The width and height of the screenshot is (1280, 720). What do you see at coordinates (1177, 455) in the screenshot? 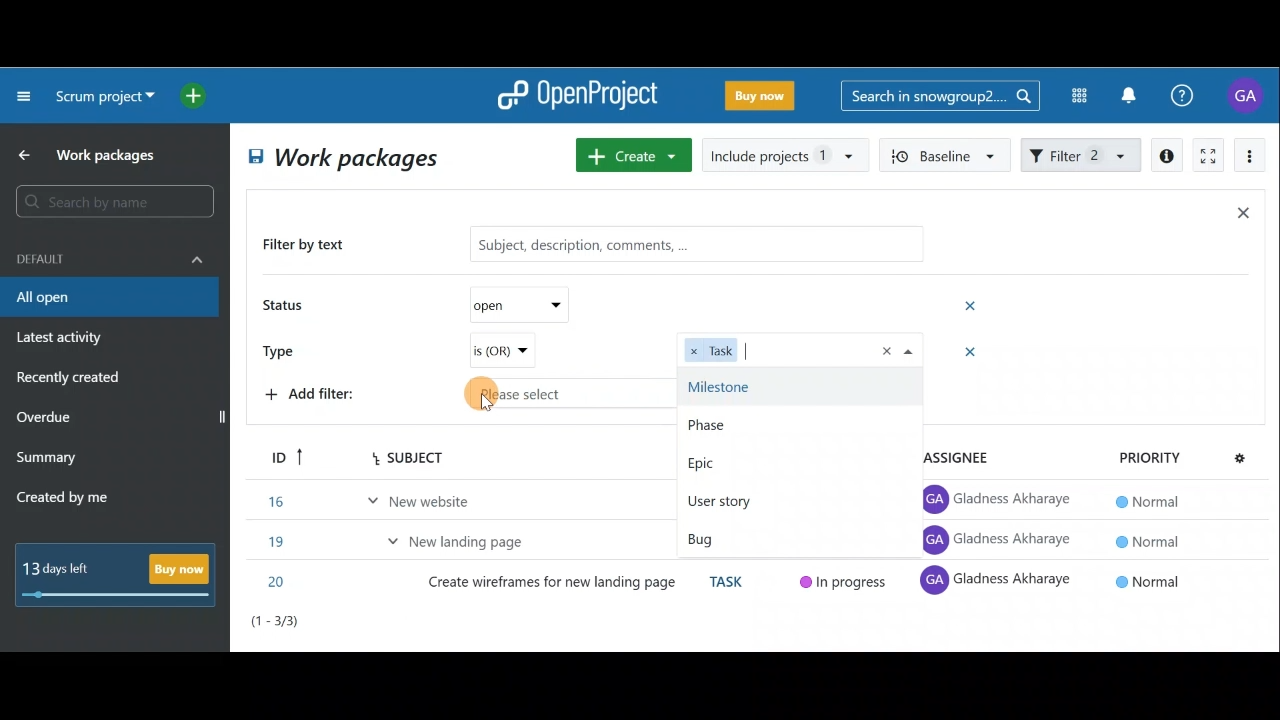
I see `Priority` at bounding box center [1177, 455].